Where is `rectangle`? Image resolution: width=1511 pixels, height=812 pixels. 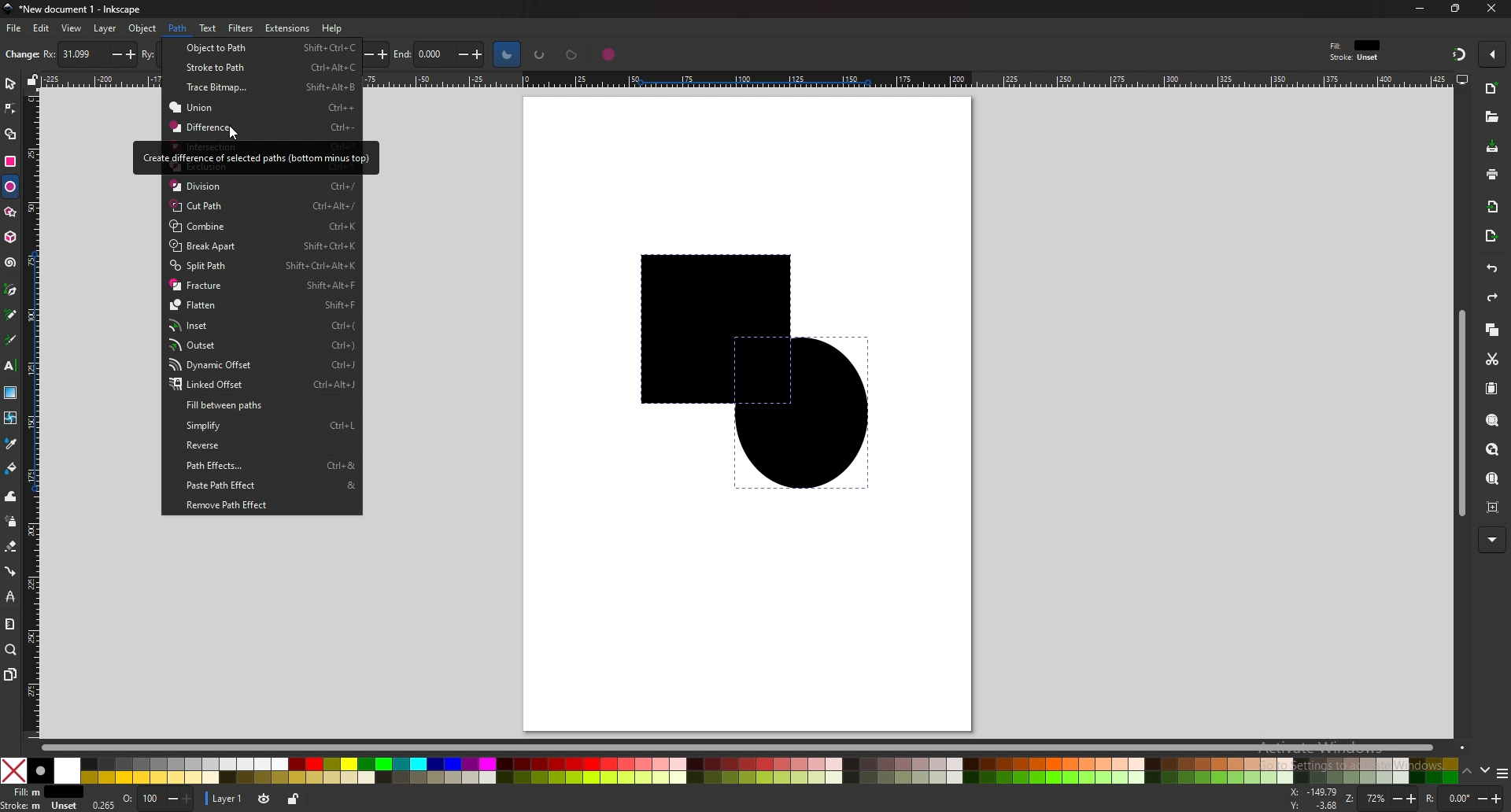
rectangle is located at coordinates (11, 160).